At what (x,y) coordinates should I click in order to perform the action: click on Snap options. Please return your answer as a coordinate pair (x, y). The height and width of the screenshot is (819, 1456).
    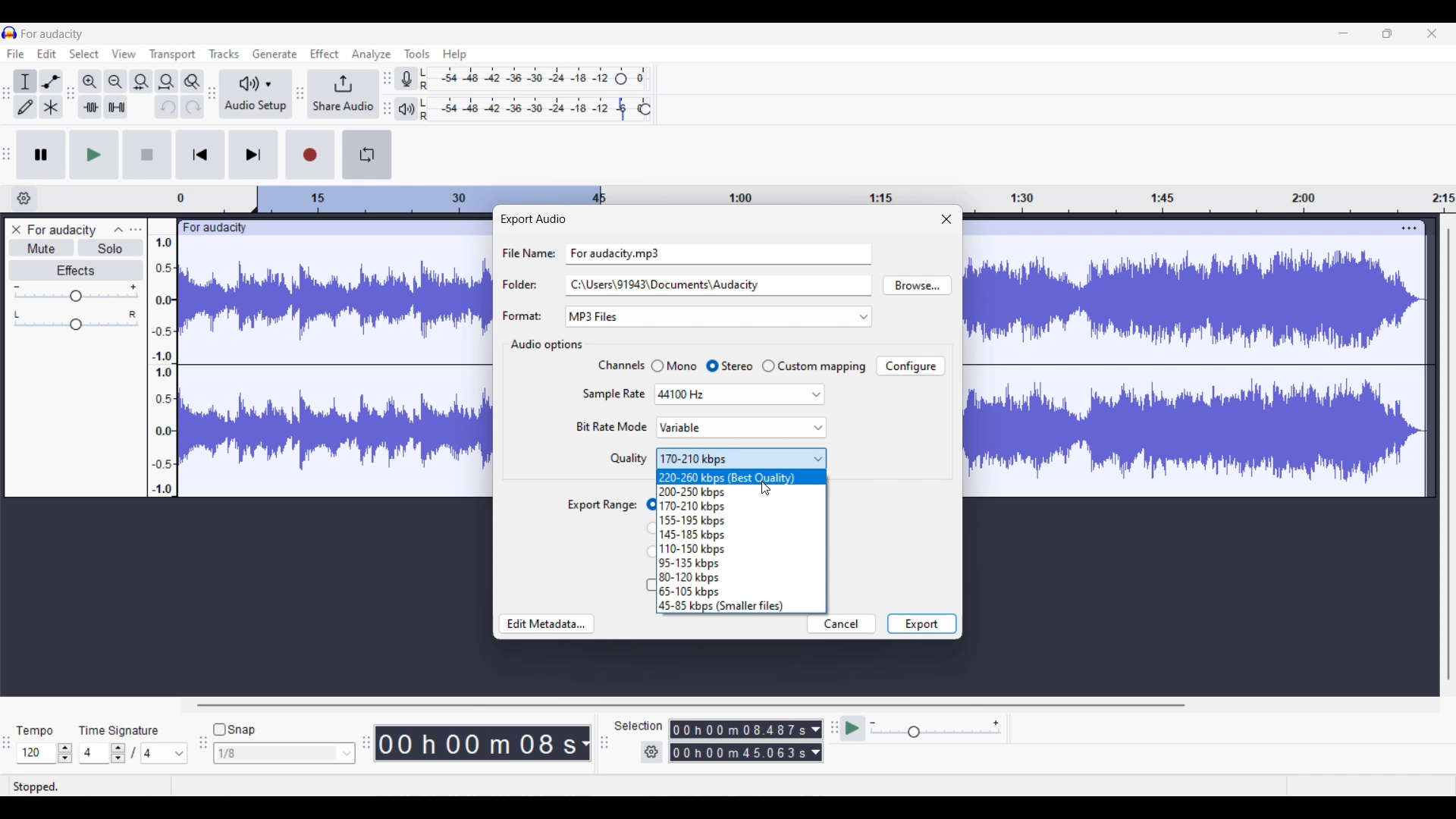
    Looking at the image, I should click on (284, 753).